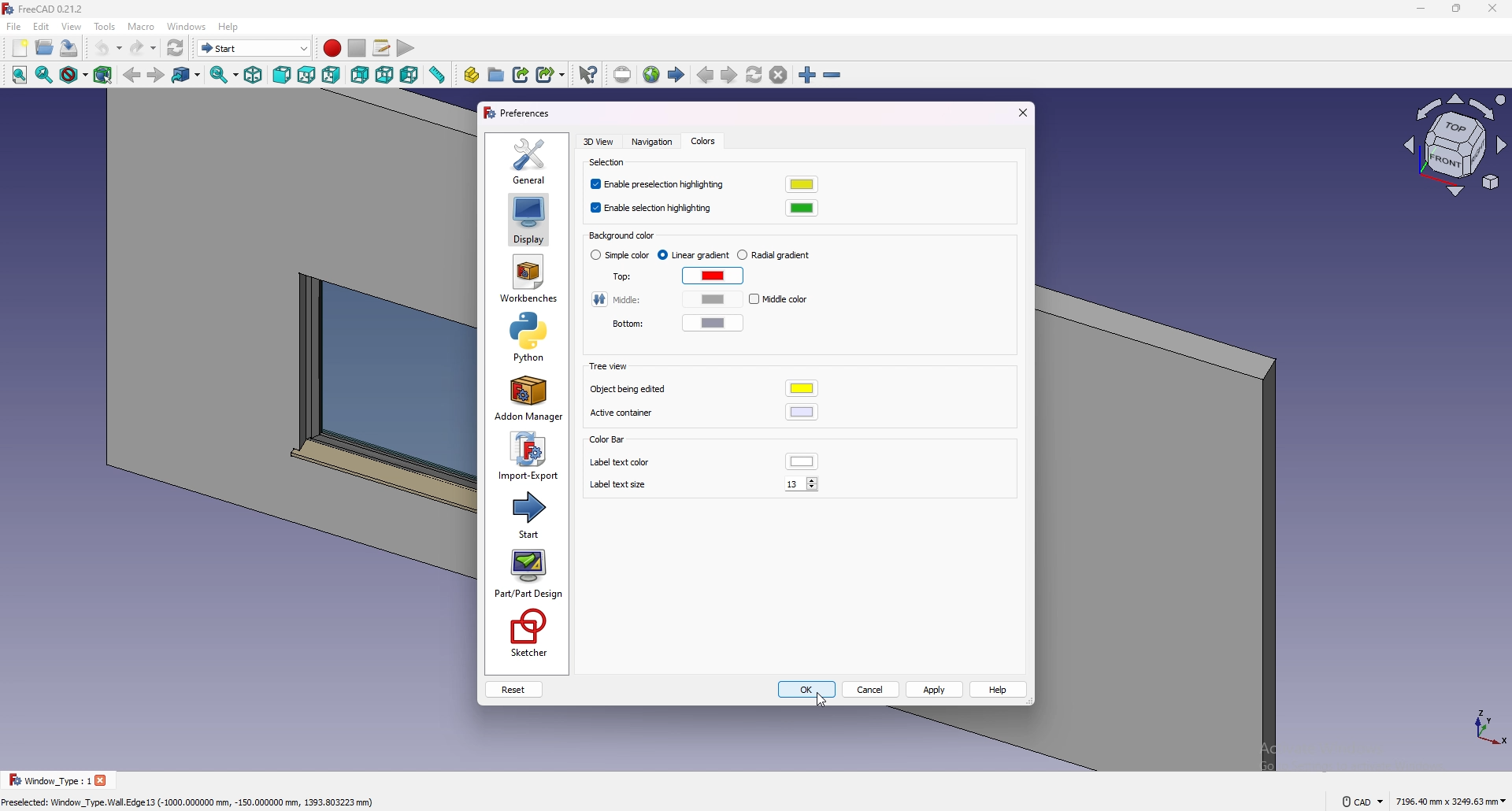 The image size is (1512, 811). Describe the element at coordinates (142, 27) in the screenshot. I see `macro` at that location.